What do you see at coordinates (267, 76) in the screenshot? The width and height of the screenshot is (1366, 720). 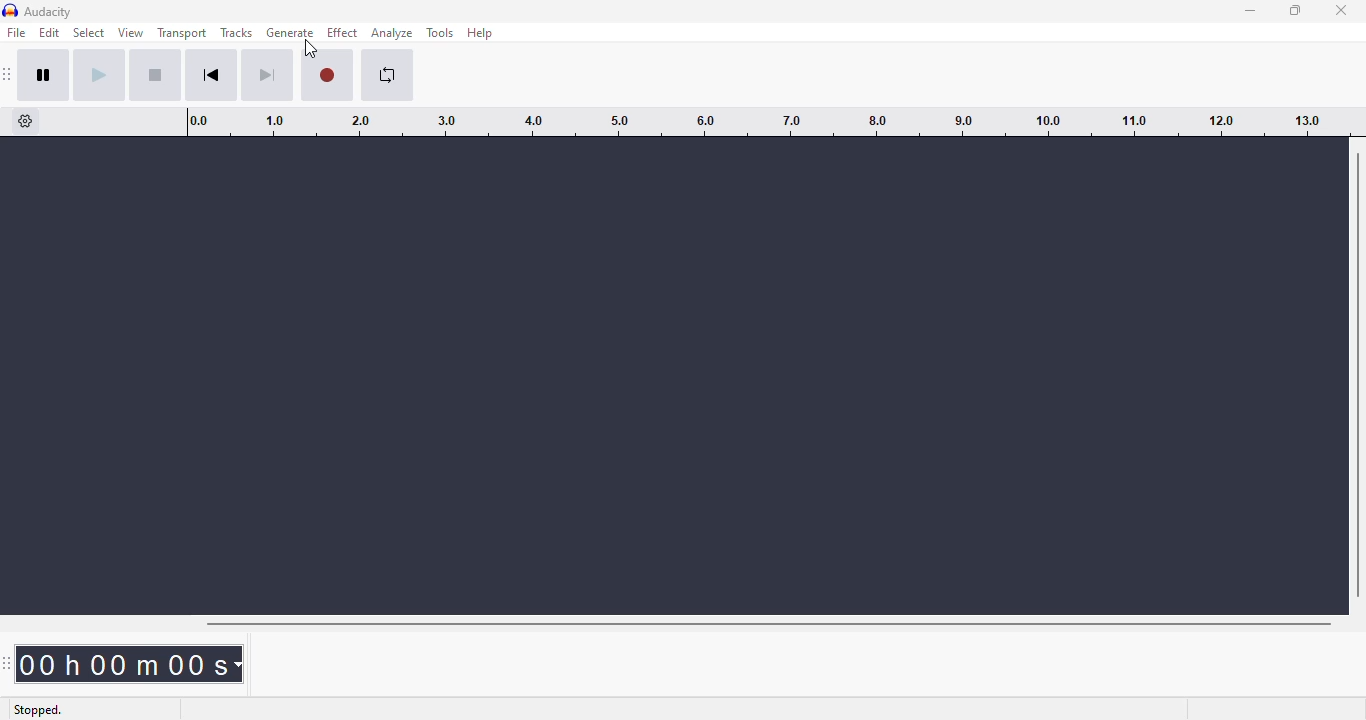 I see `skip to end` at bounding box center [267, 76].